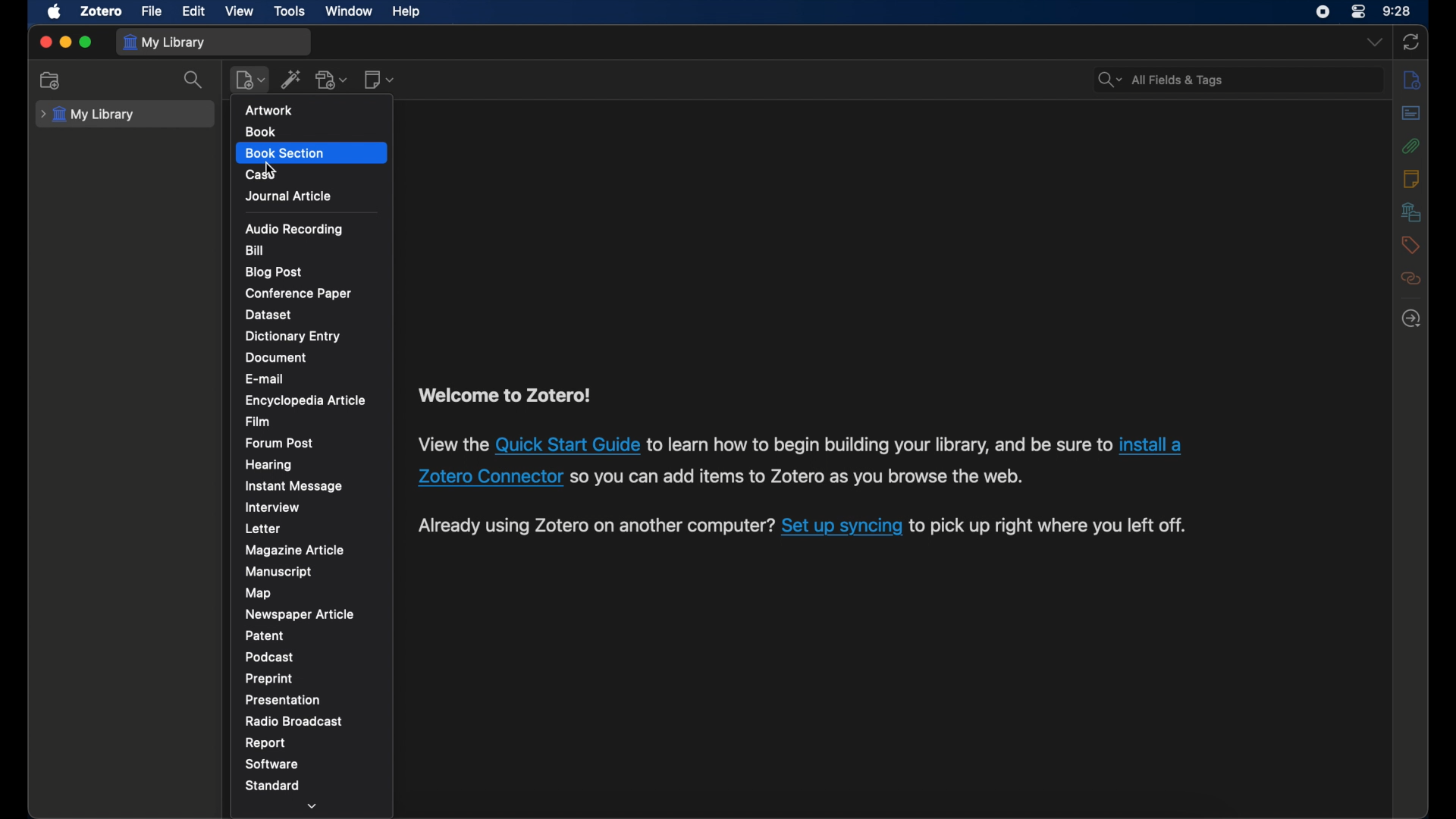 This screenshot has height=819, width=1456. I want to click on artwork, so click(271, 109).